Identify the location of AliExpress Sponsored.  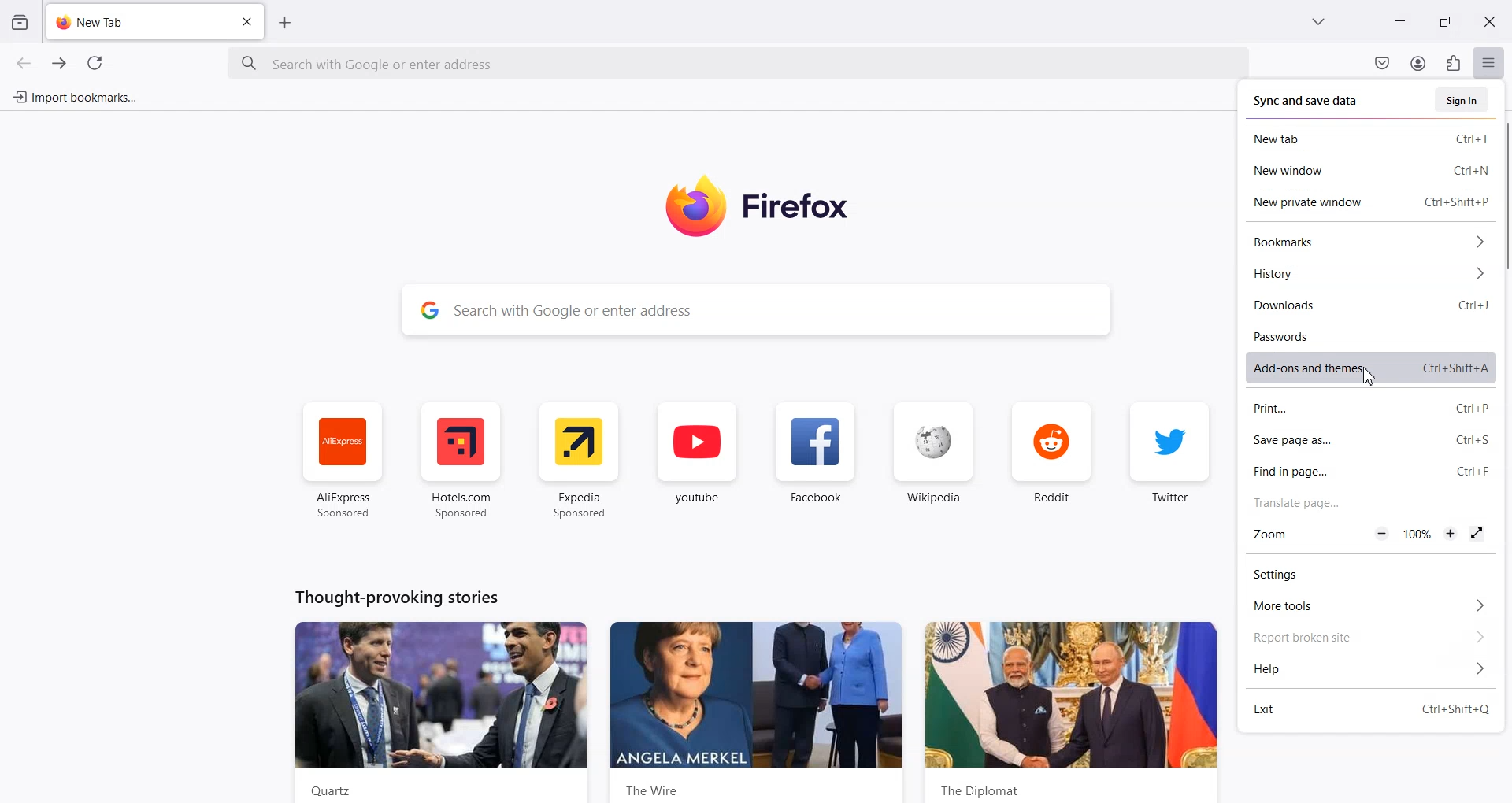
(341, 457).